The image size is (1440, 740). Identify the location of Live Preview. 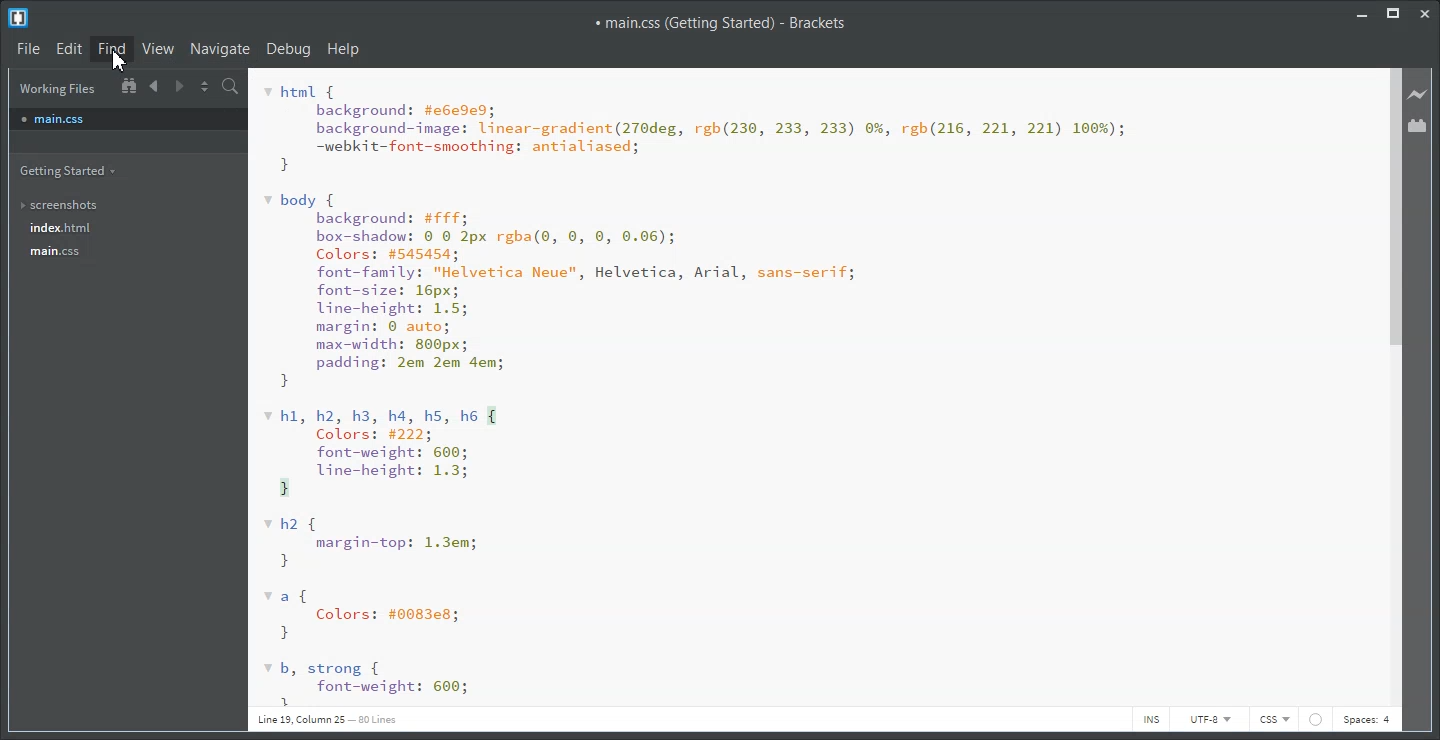
(1418, 95).